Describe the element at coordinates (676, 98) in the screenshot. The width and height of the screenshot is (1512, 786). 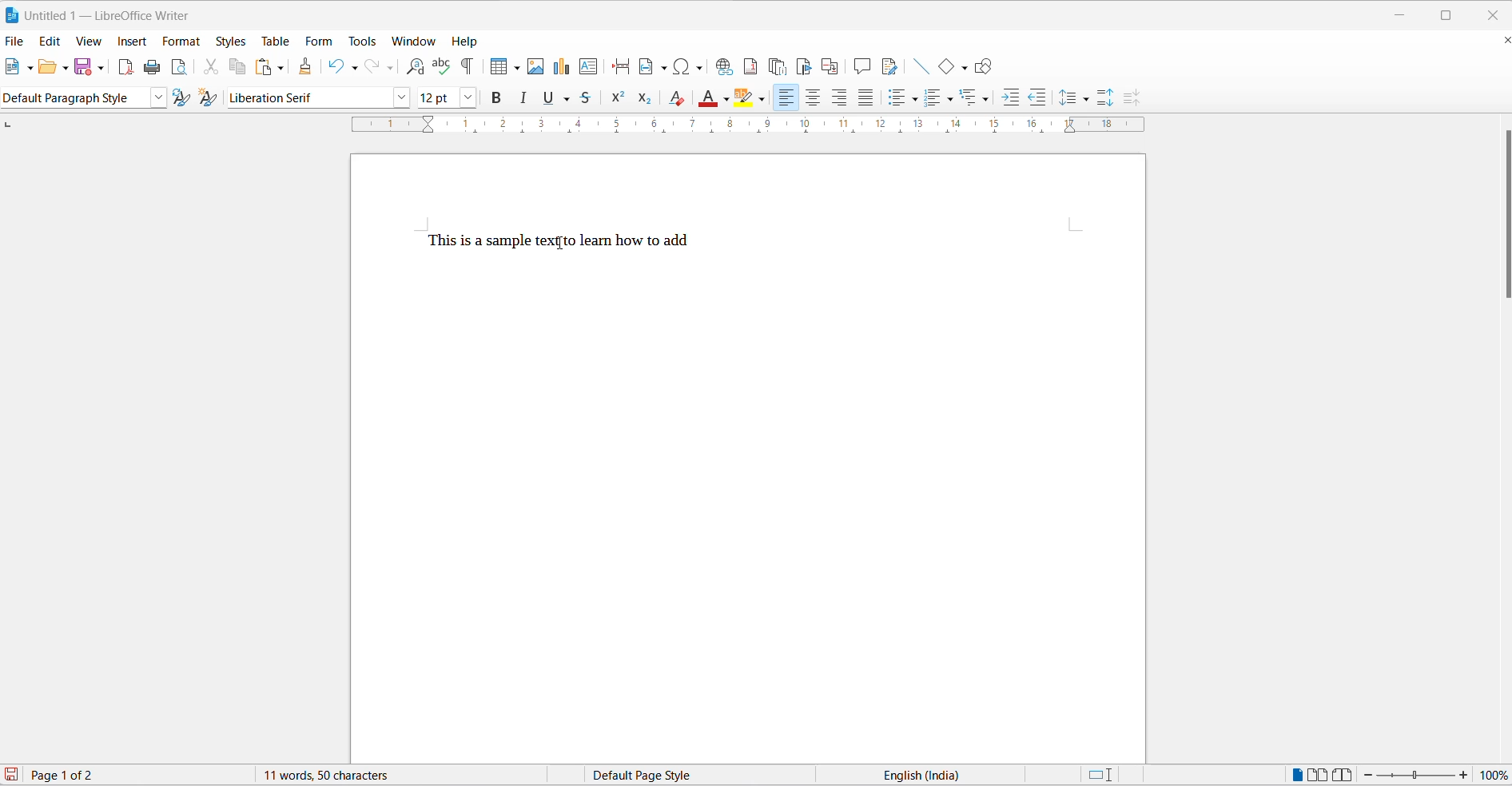
I see `clear direct formatting` at that location.